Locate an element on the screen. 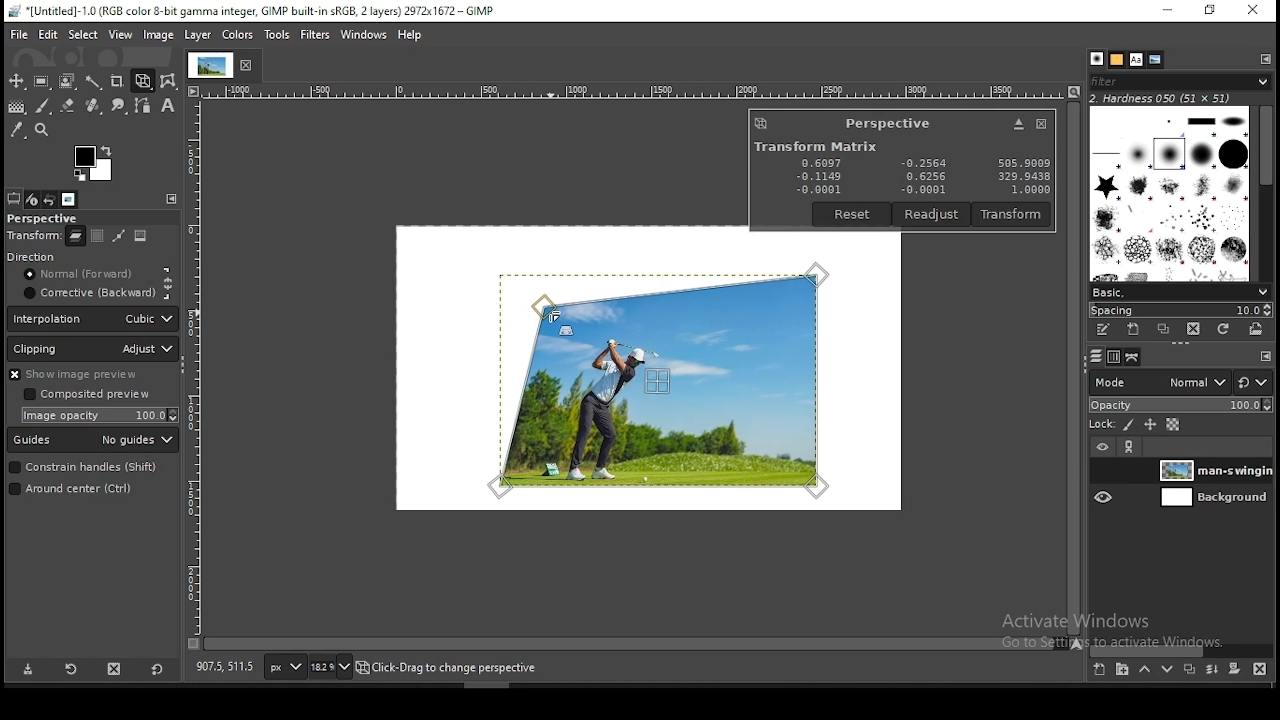 Image resolution: width=1280 pixels, height=720 pixels. paths tool is located at coordinates (145, 106).